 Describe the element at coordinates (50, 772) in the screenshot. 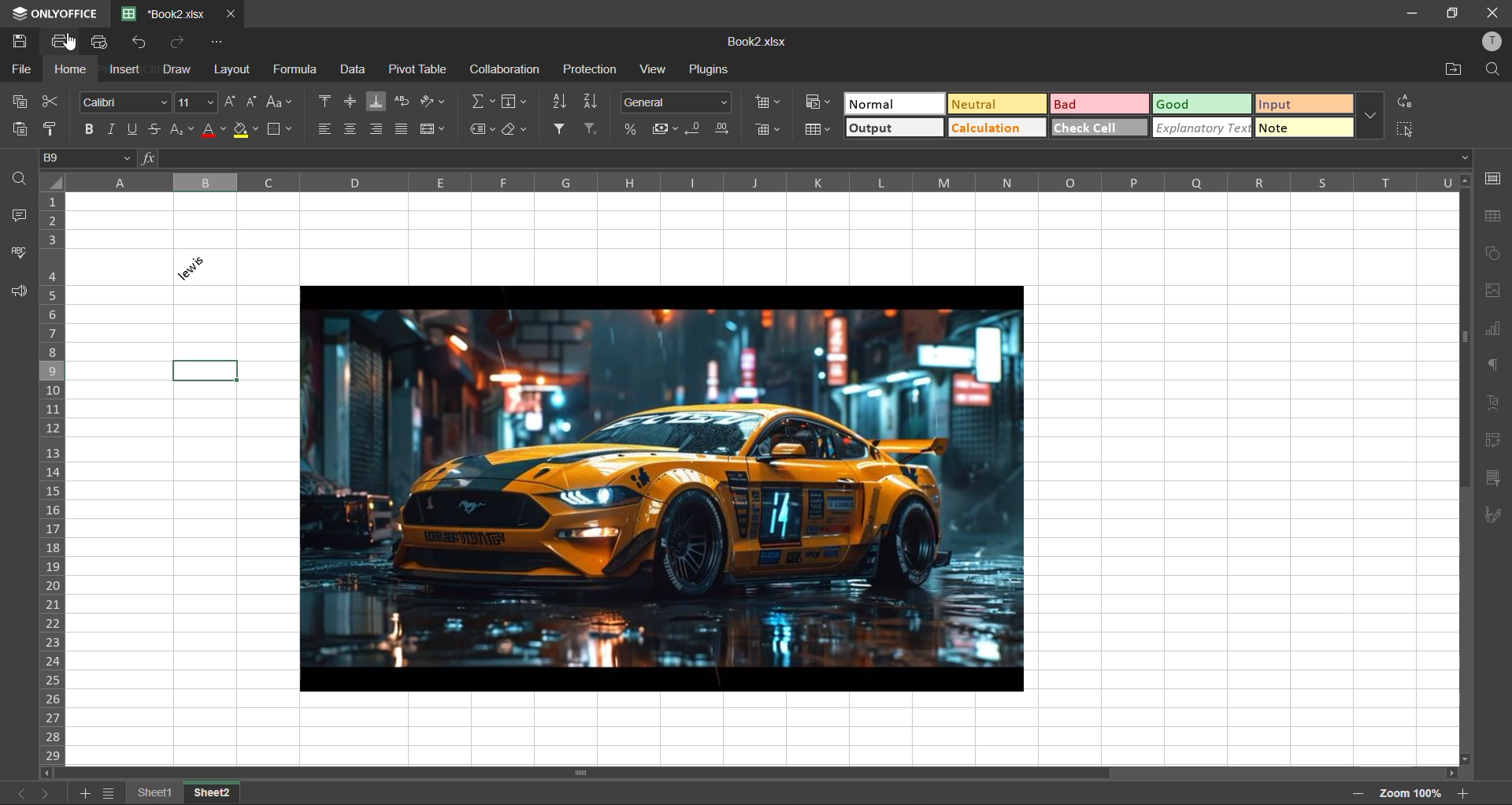

I see `scroll left` at that location.